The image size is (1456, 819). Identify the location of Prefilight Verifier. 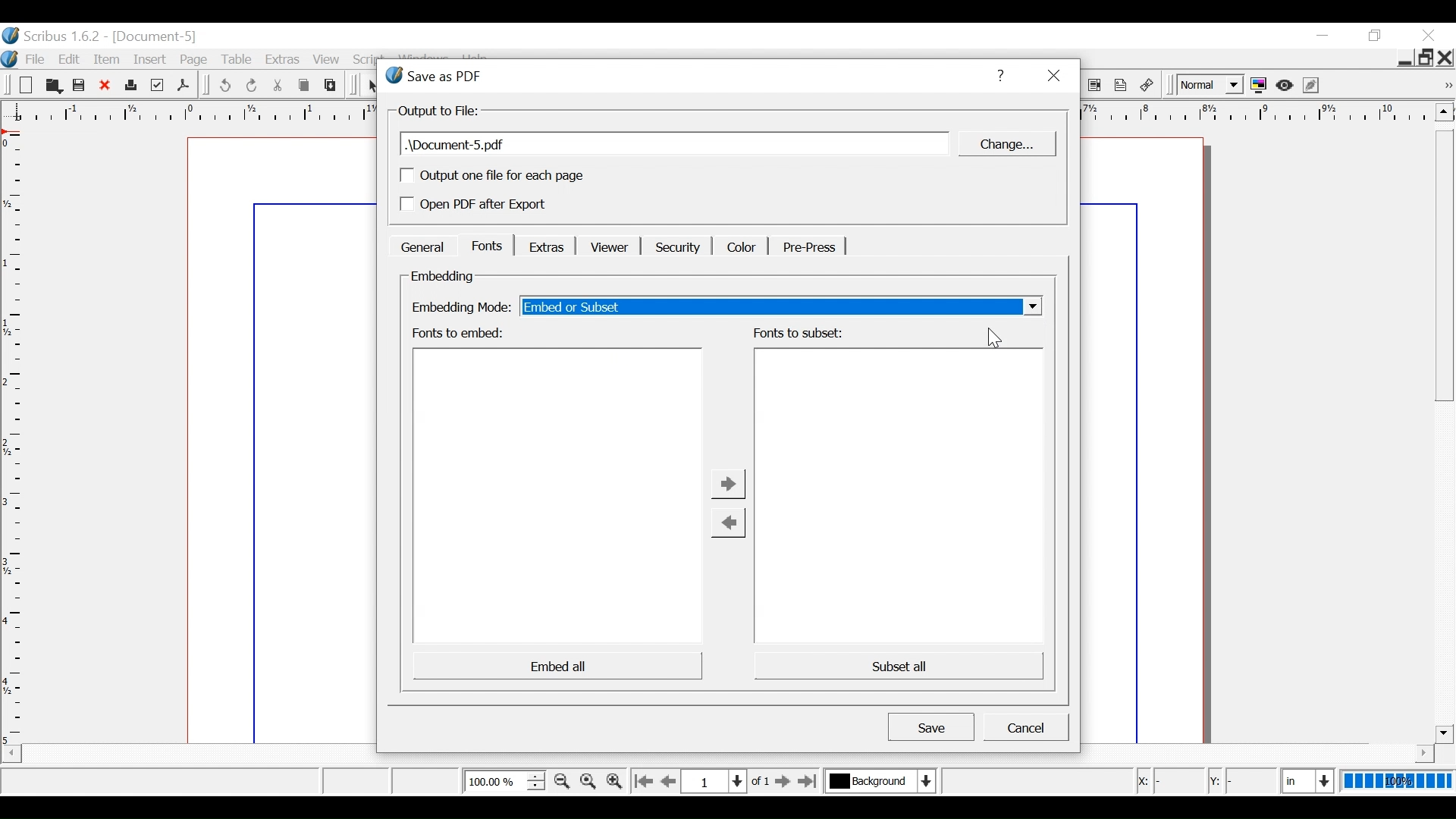
(157, 86).